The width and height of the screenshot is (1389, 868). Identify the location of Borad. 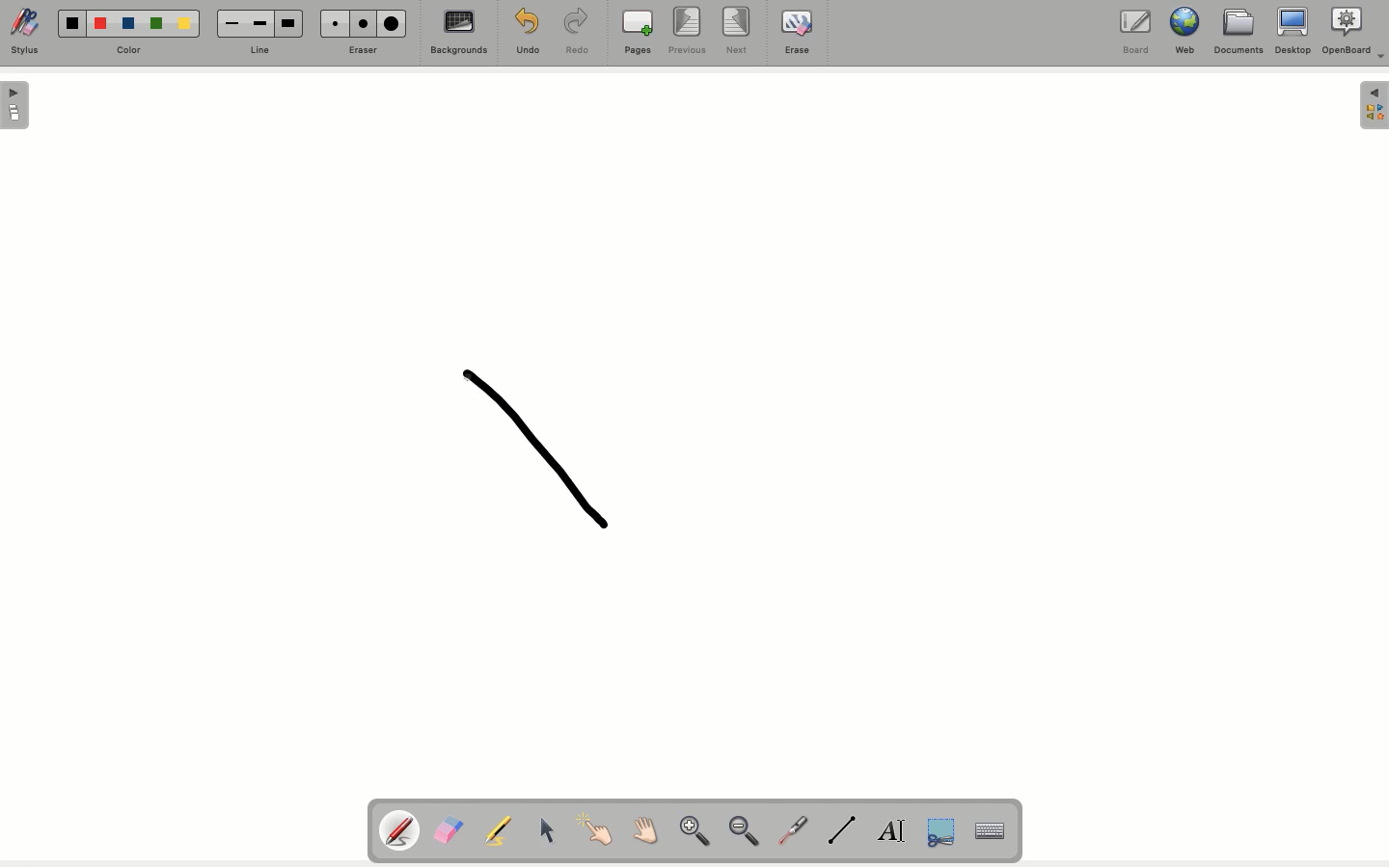
(1136, 35).